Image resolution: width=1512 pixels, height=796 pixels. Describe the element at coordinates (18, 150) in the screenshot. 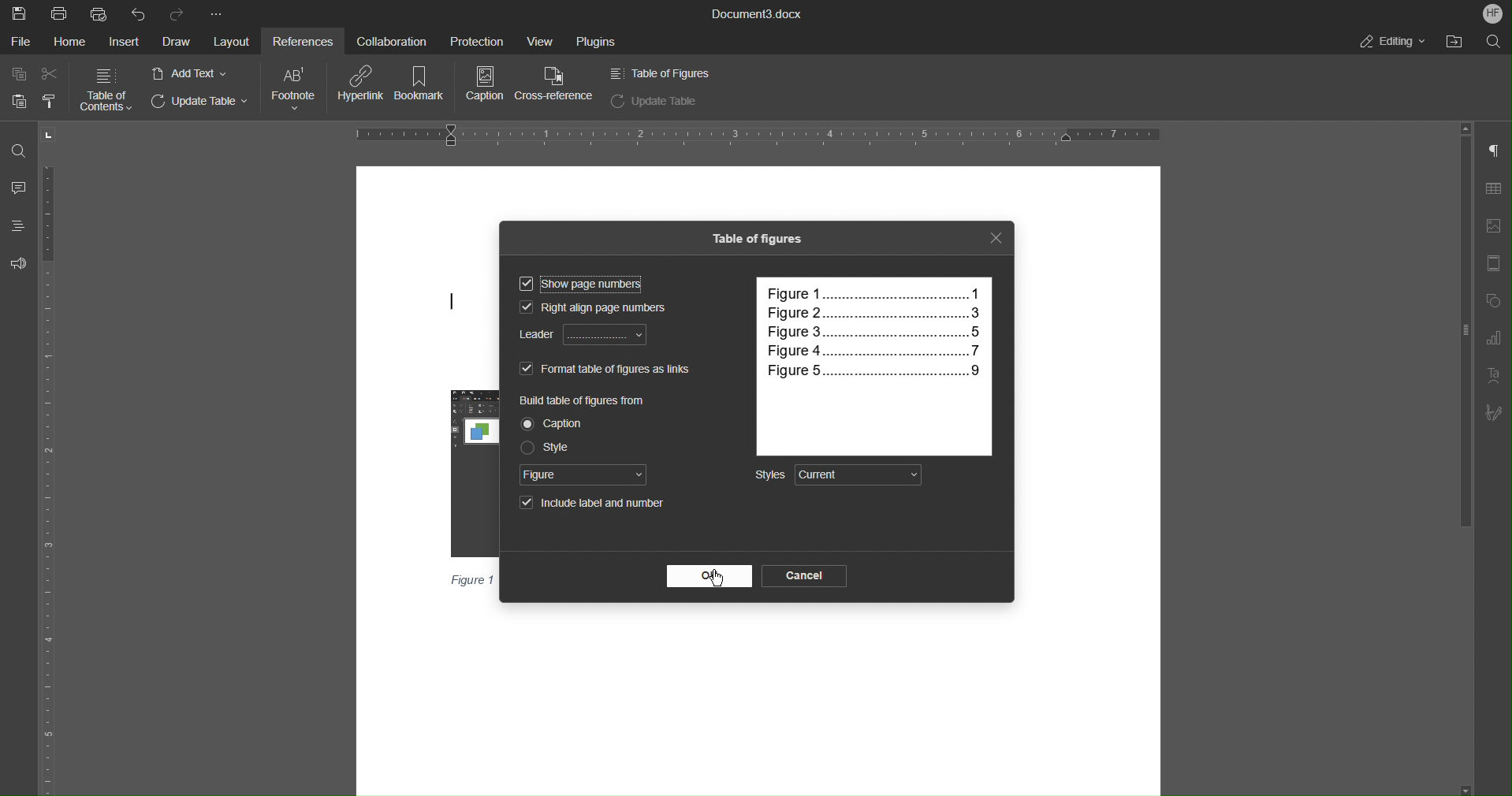

I see `Find` at that location.